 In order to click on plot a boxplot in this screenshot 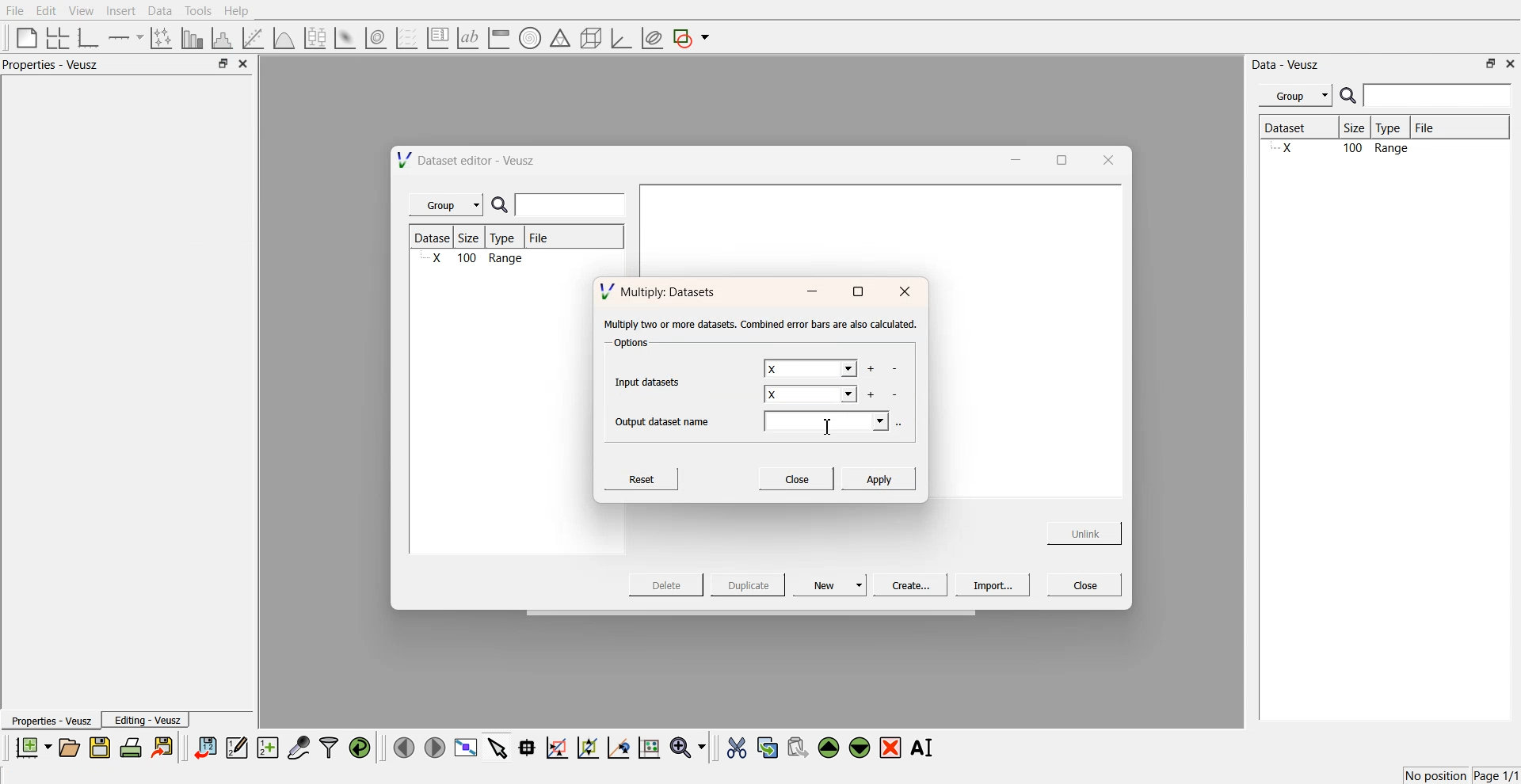, I will do `click(314, 36)`.